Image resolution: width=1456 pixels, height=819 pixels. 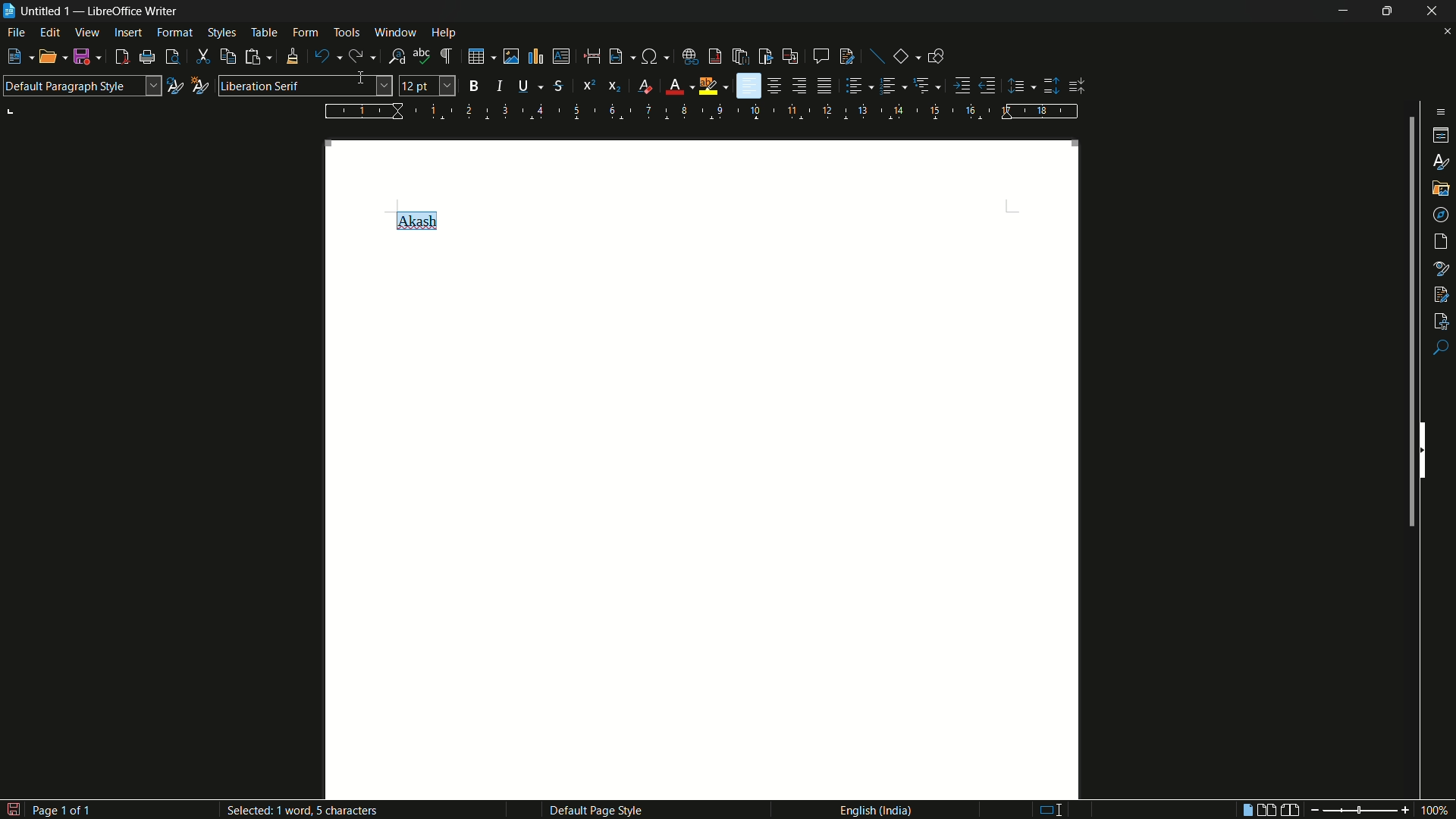 What do you see at coordinates (365, 80) in the screenshot?
I see `cursor` at bounding box center [365, 80].